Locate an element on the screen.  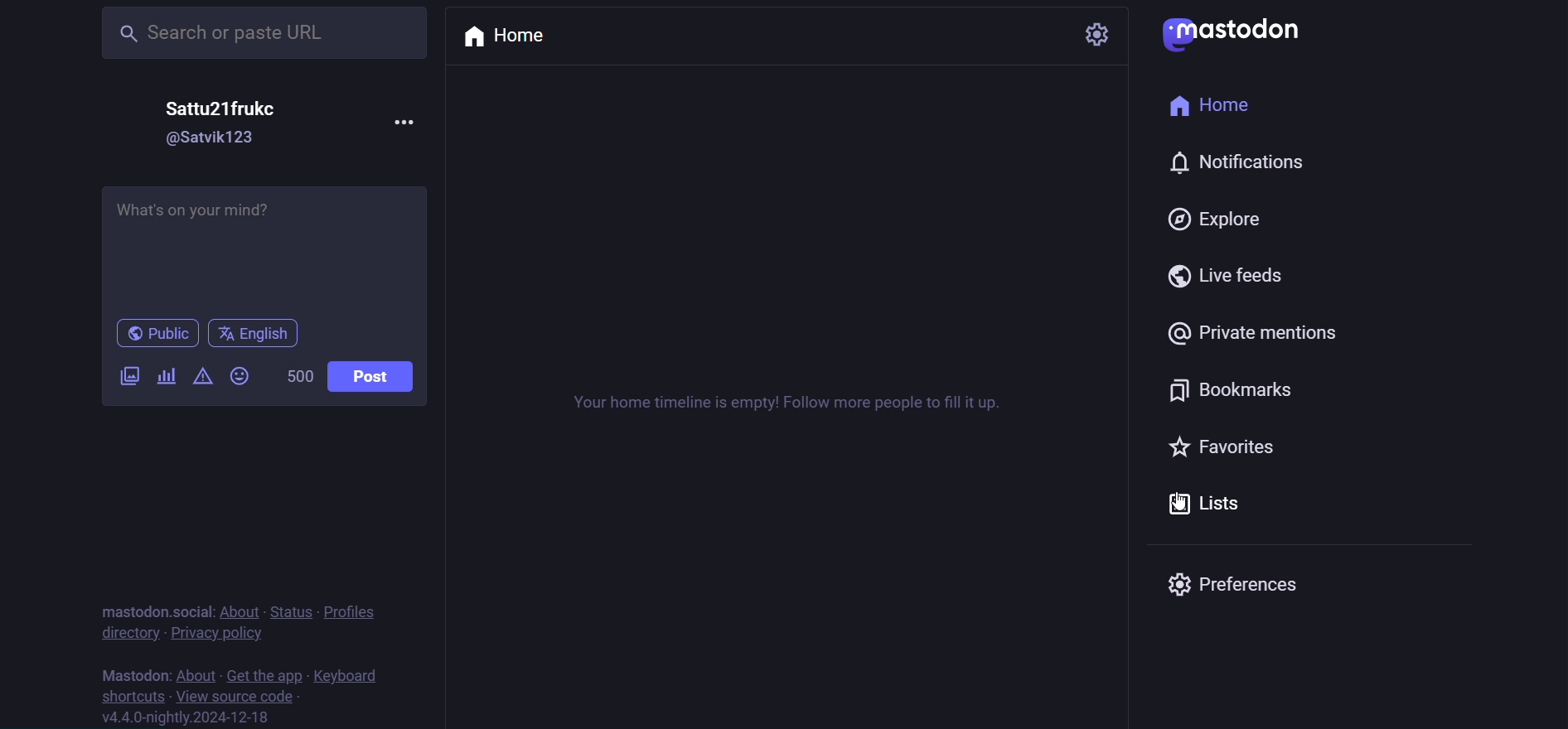
directory is located at coordinates (129, 633).